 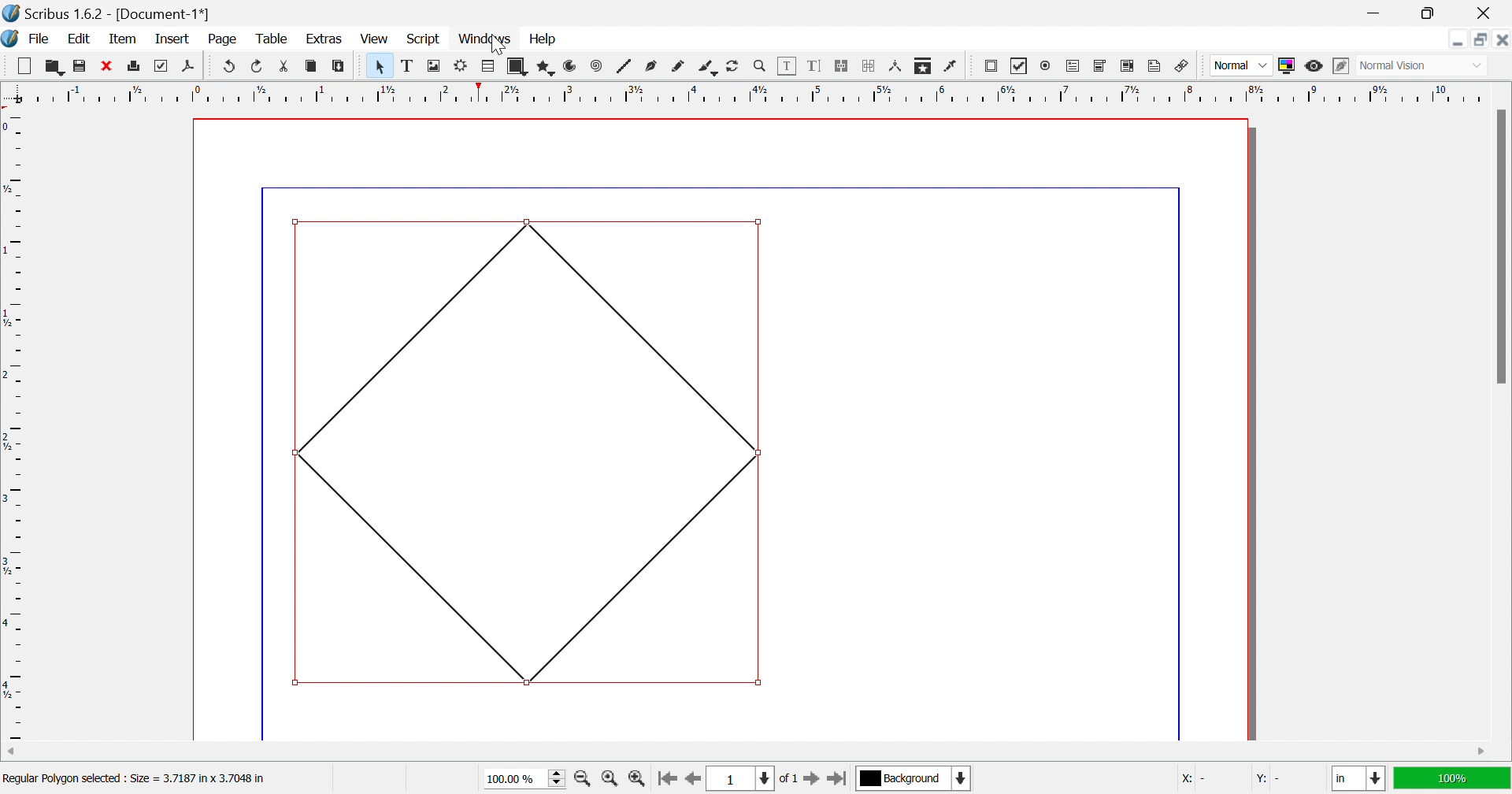 What do you see at coordinates (584, 781) in the screenshot?
I see `Zoom out by the stepping value in Tools preferences` at bounding box center [584, 781].